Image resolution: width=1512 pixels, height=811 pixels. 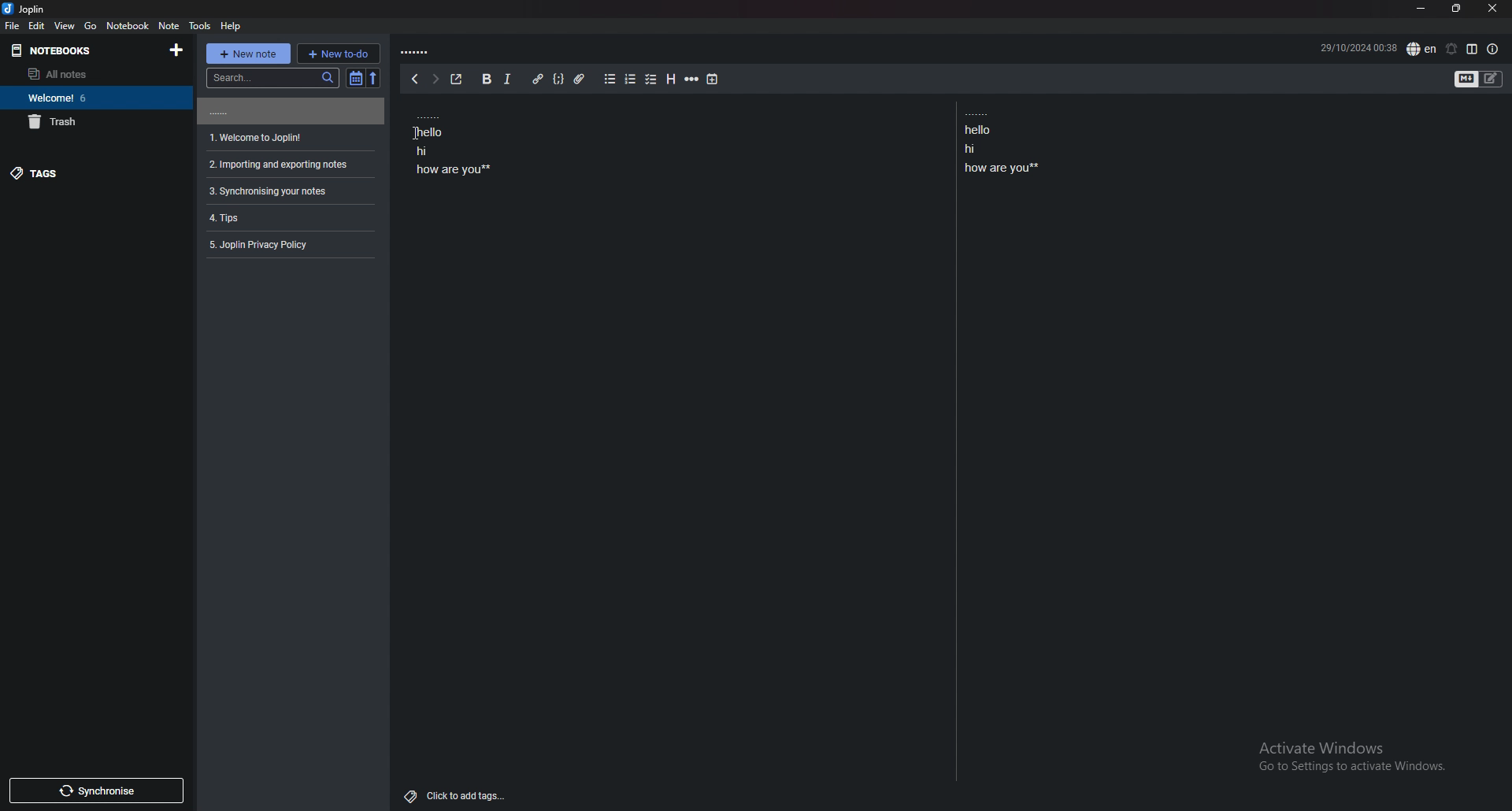 What do you see at coordinates (1423, 49) in the screenshot?
I see `spell check` at bounding box center [1423, 49].